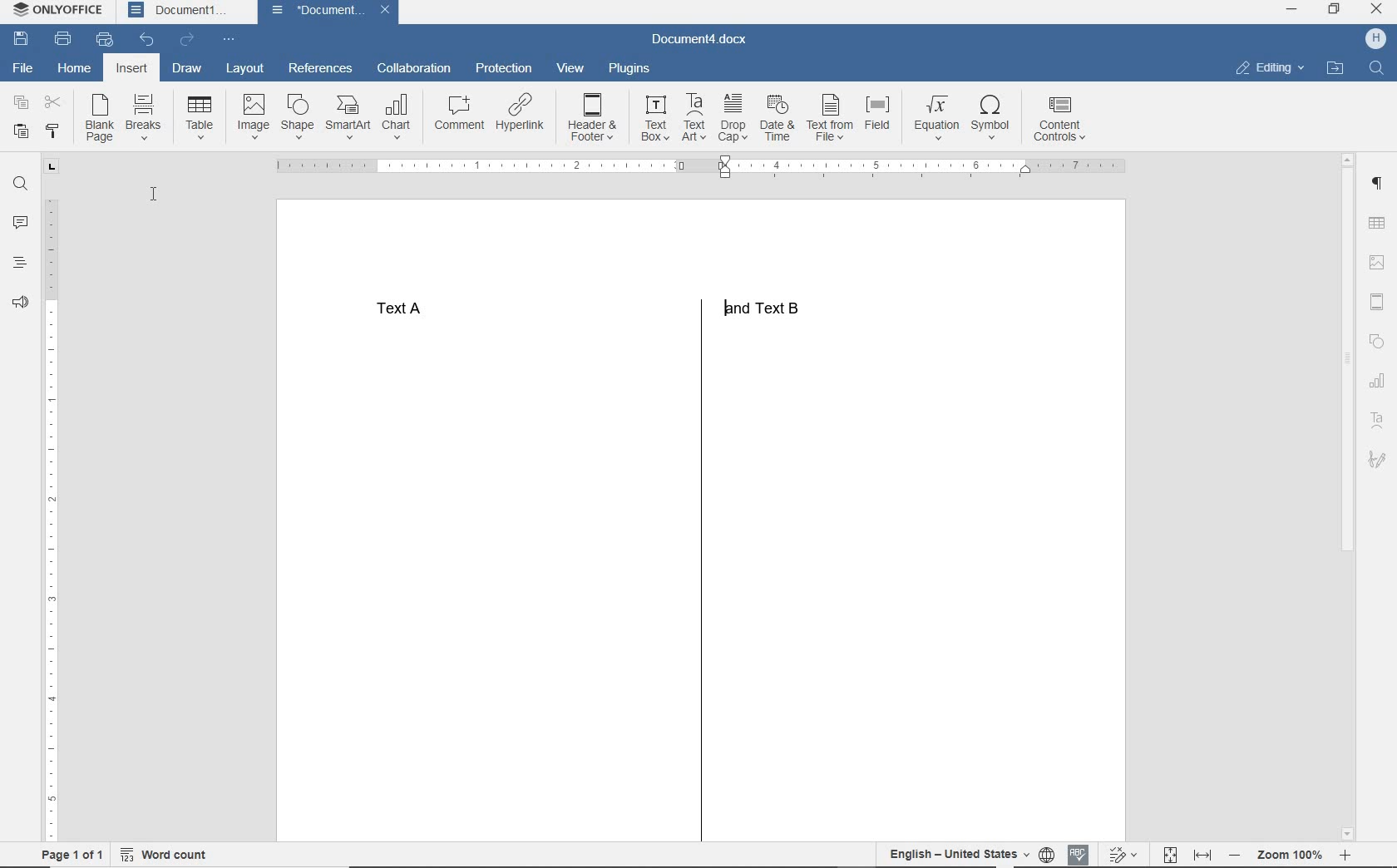 The width and height of the screenshot is (1397, 868). What do you see at coordinates (521, 113) in the screenshot?
I see `HYPERLINK` at bounding box center [521, 113].